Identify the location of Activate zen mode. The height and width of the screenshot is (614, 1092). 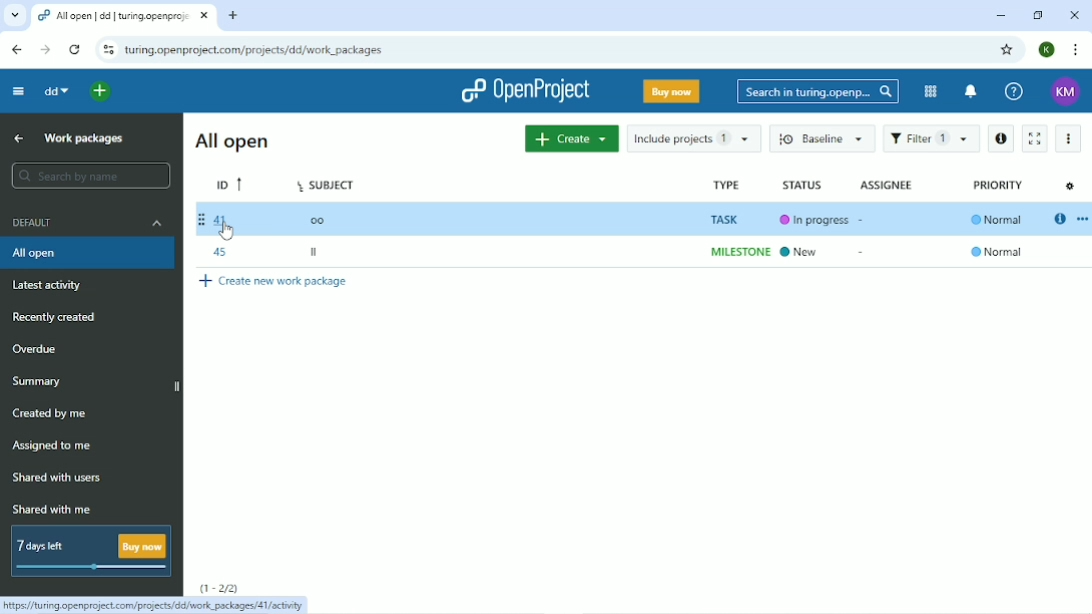
(1036, 137).